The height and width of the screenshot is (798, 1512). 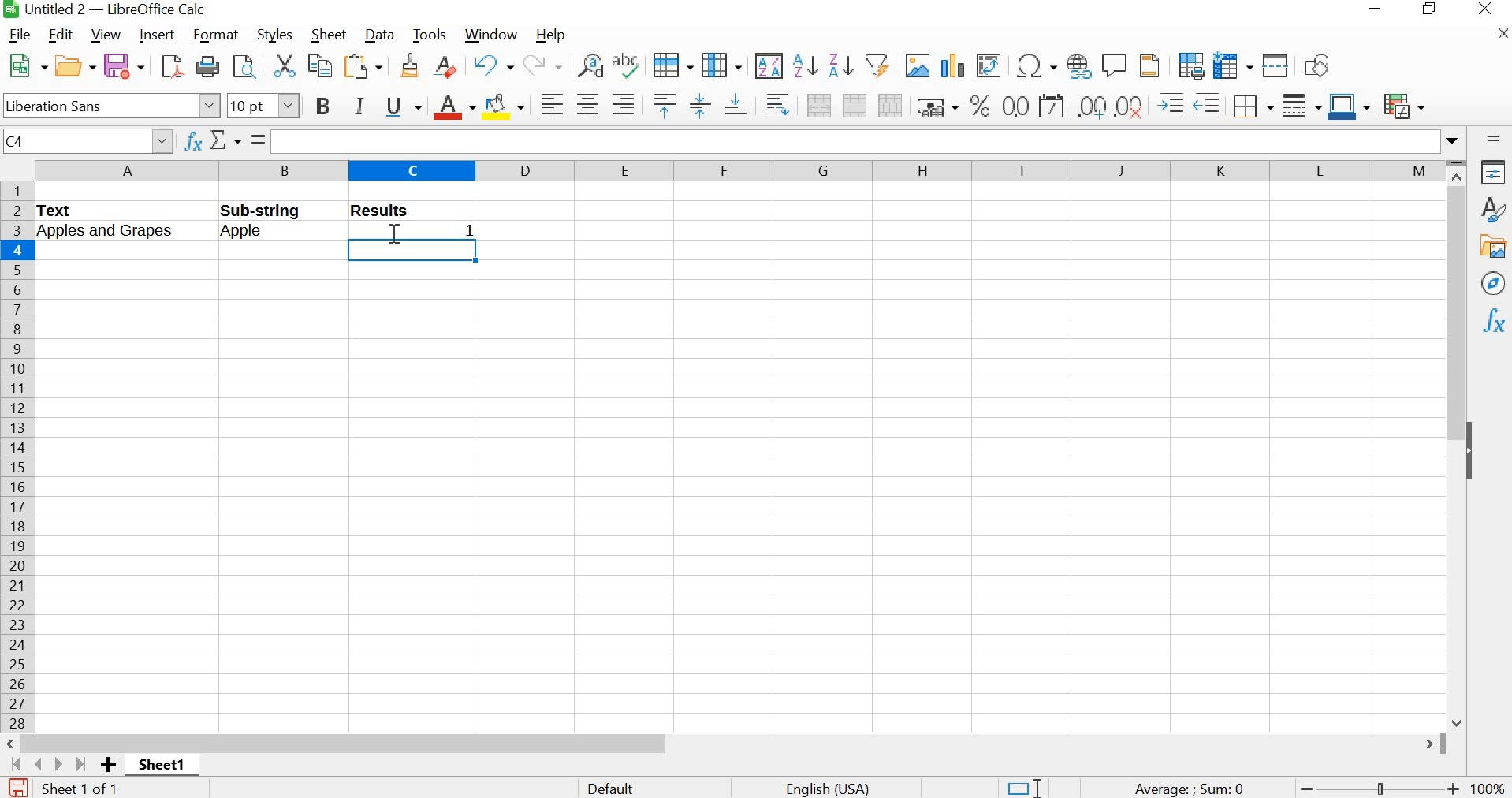 What do you see at coordinates (326, 35) in the screenshot?
I see `sheet` at bounding box center [326, 35].